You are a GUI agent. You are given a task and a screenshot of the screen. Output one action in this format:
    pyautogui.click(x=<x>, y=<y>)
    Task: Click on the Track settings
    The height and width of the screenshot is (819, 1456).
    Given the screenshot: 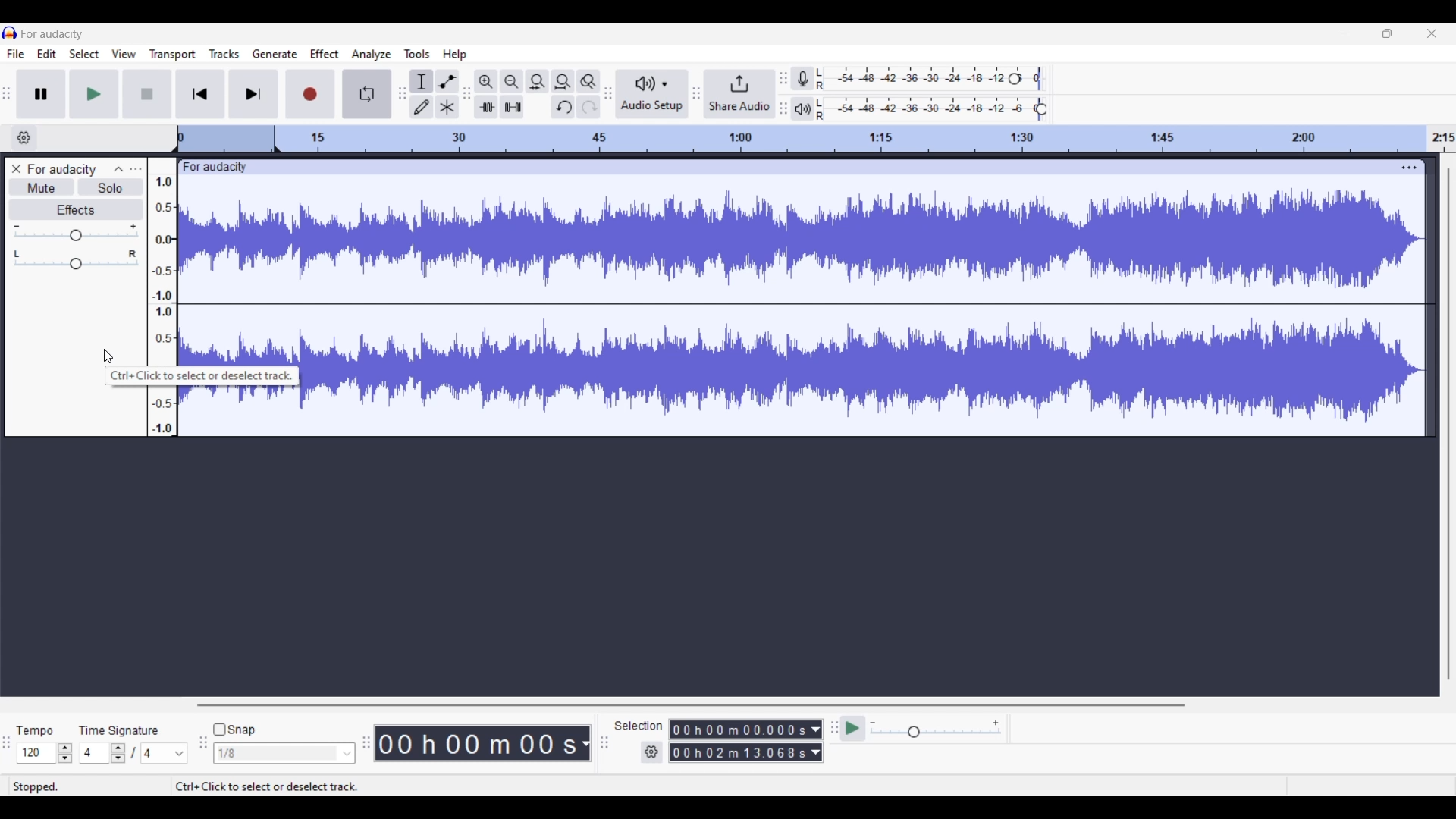 What is the action you would take?
    pyautogui.click(x=1409, y=168)
    